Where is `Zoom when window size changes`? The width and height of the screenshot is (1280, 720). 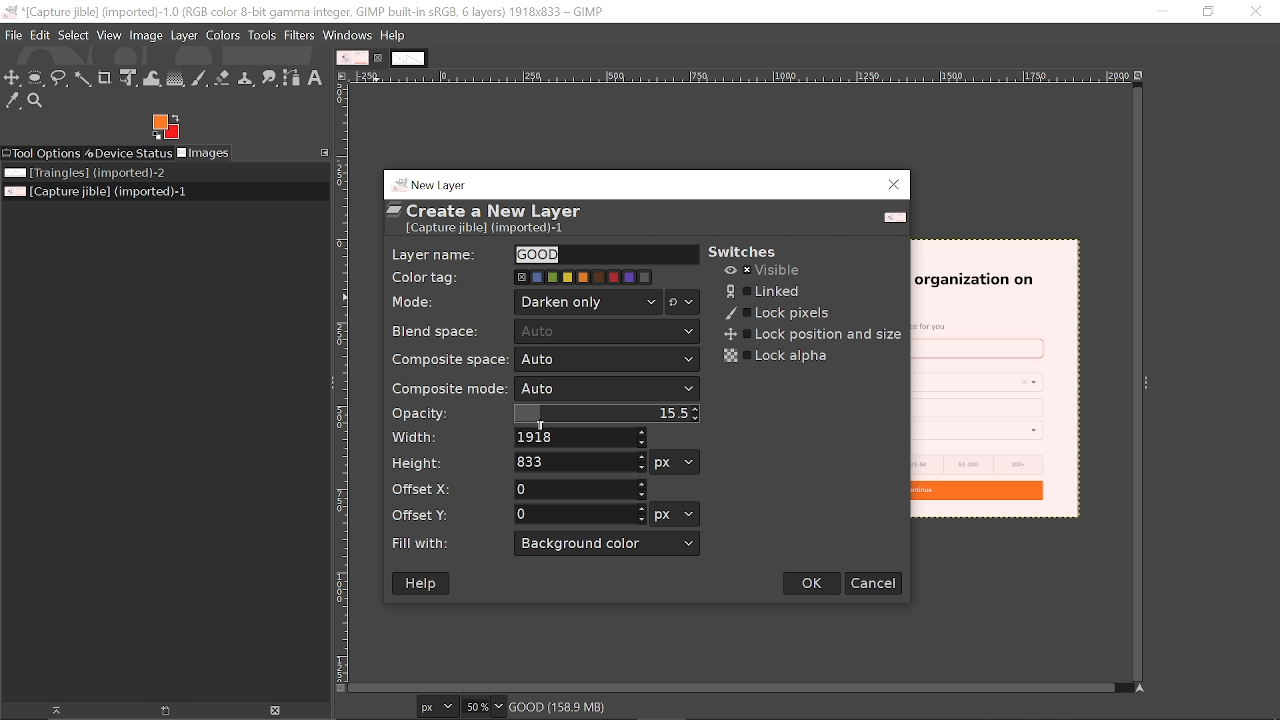 Zoom when window size changes is located at coordinates (1142, 77).